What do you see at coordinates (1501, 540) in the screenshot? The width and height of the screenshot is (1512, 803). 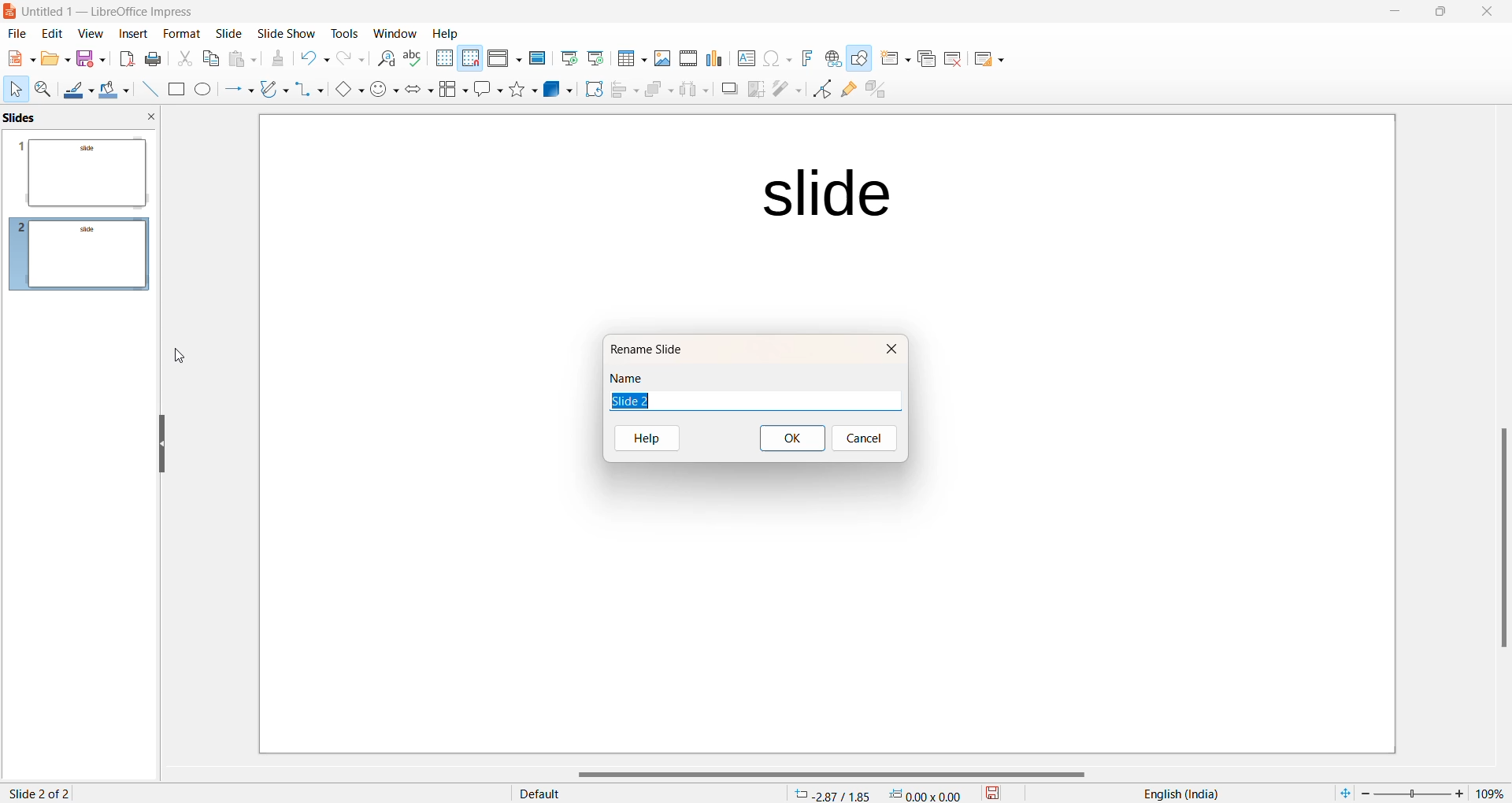 I see `scroll bar` at bounding box center [1501, 540].